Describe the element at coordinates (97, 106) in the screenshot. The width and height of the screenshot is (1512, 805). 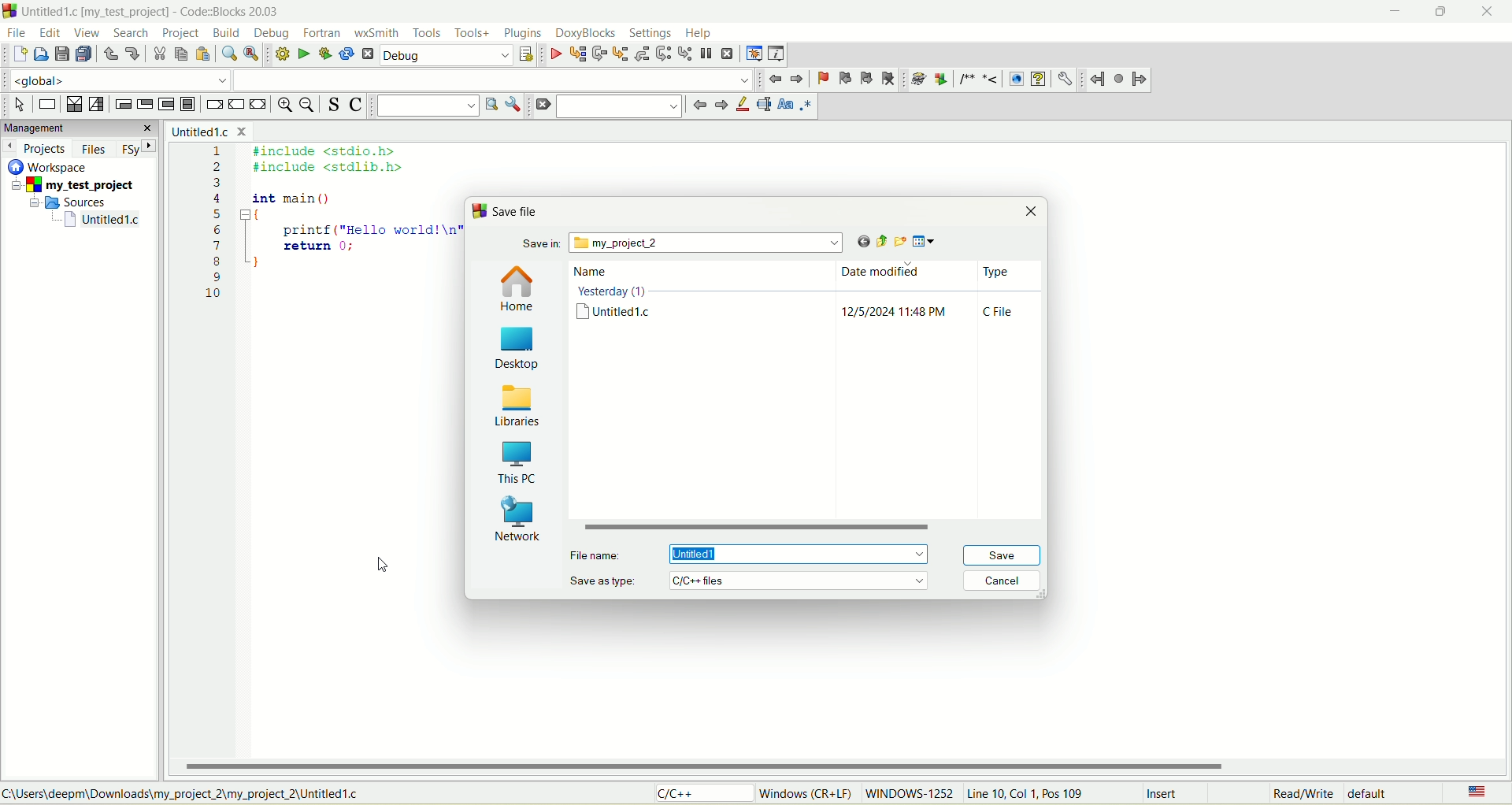
I see `selection` at that location.